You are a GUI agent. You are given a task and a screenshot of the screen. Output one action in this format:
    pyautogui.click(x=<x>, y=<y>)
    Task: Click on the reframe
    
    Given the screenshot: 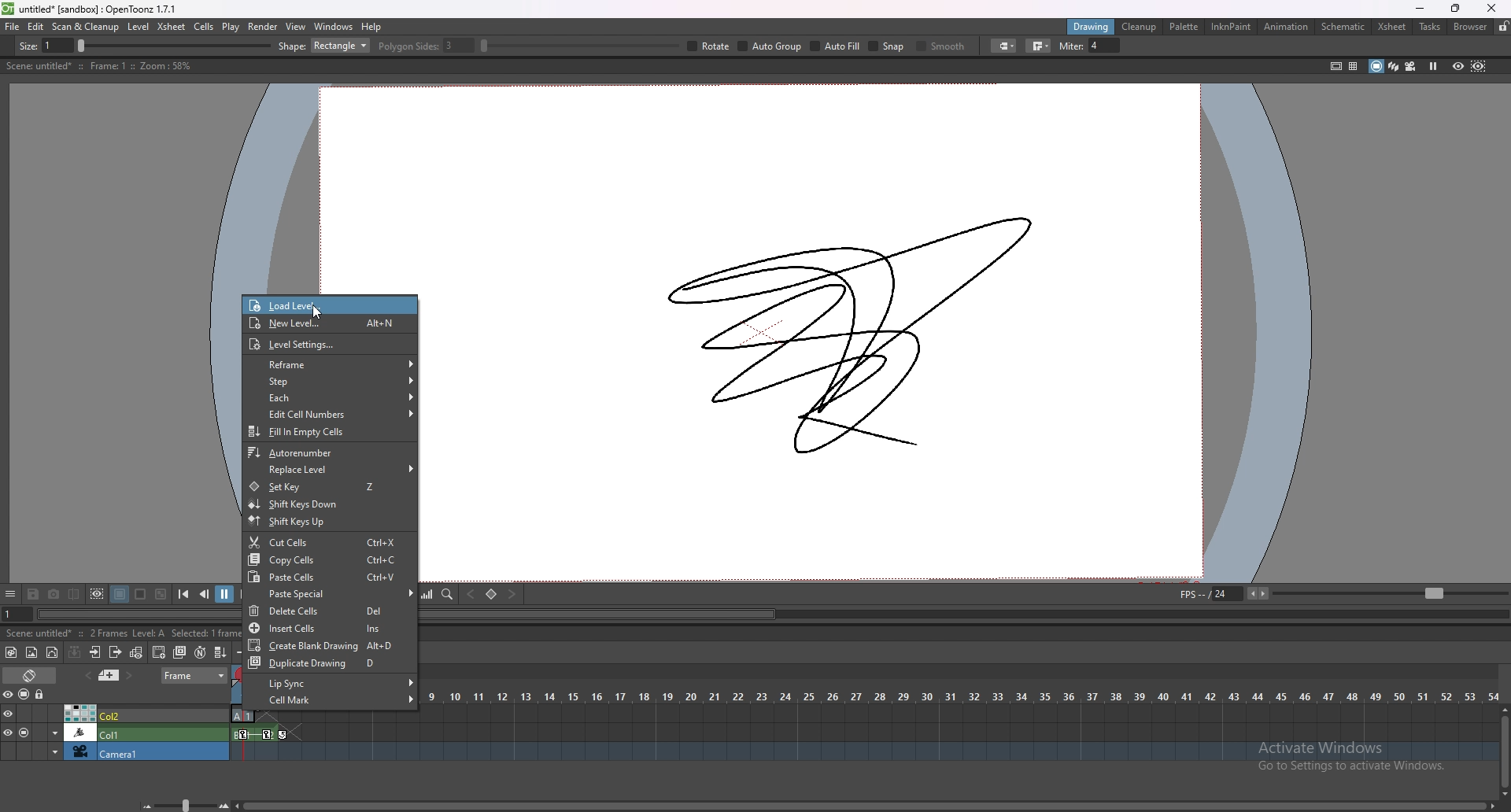 What is the action you would take?
    pyautogui.click(x=331, y=364)
    